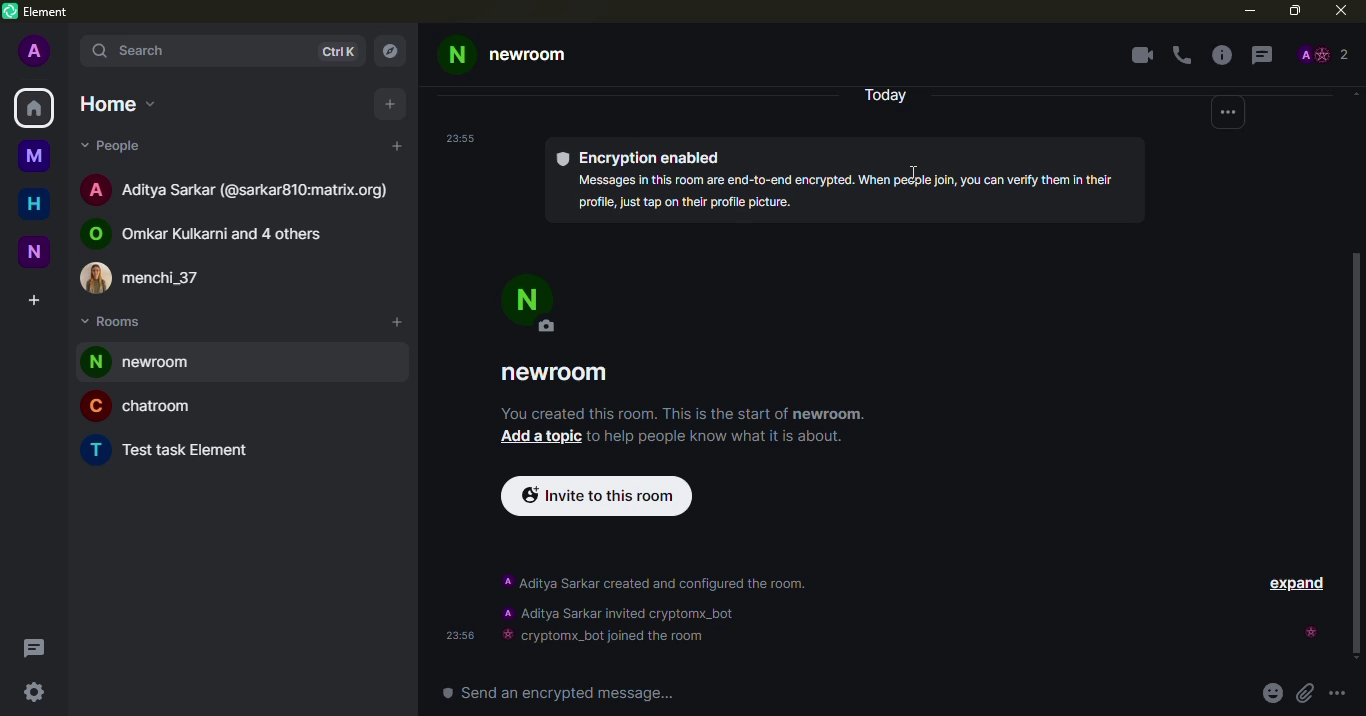  Describe the element at coordinates (661, 583) in the screenshot. I see `Aditya Sarkar created and configured the room.` at that location.